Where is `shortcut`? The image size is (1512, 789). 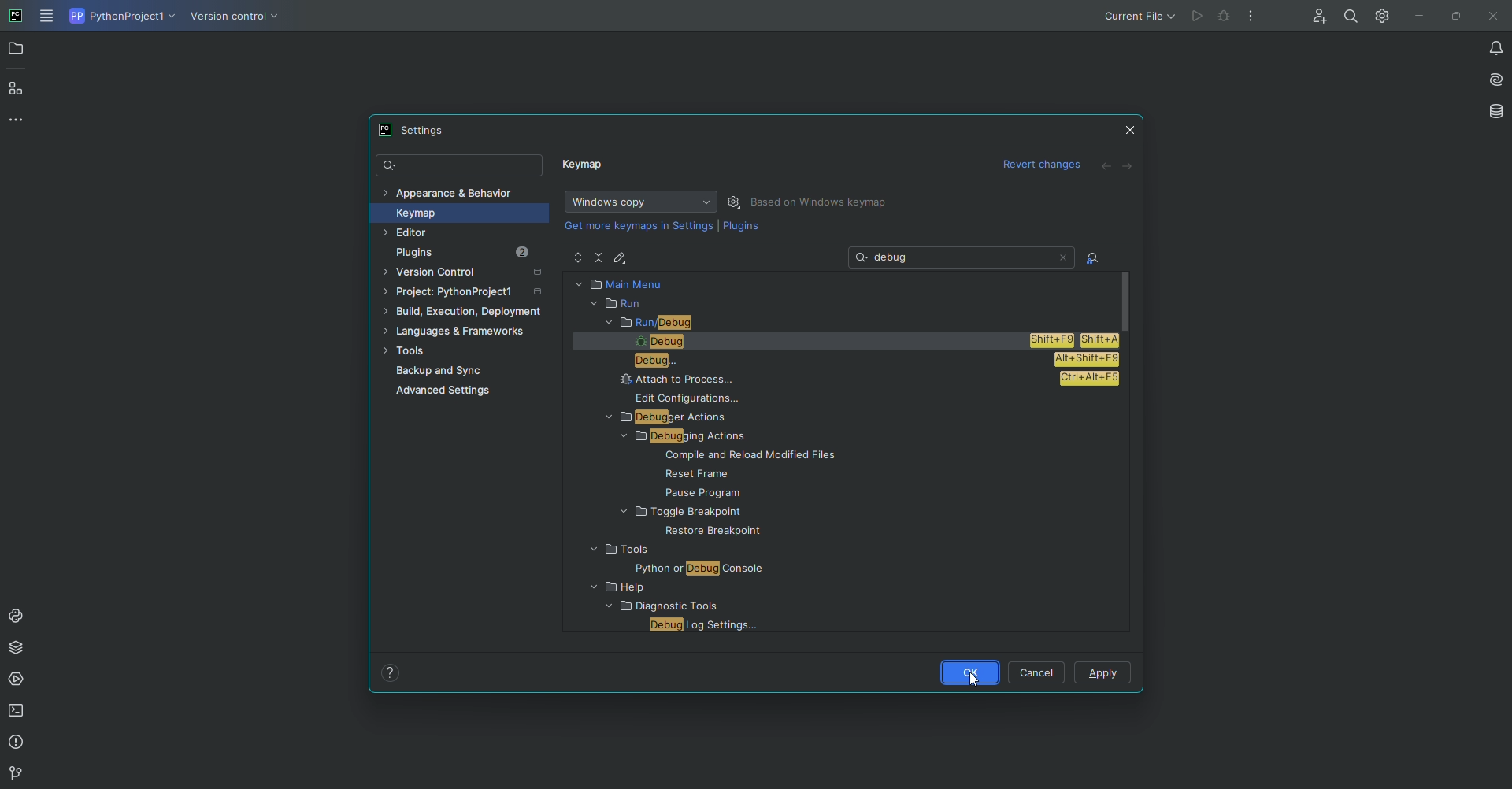 shortcut is located at coordinates (1077, 339).